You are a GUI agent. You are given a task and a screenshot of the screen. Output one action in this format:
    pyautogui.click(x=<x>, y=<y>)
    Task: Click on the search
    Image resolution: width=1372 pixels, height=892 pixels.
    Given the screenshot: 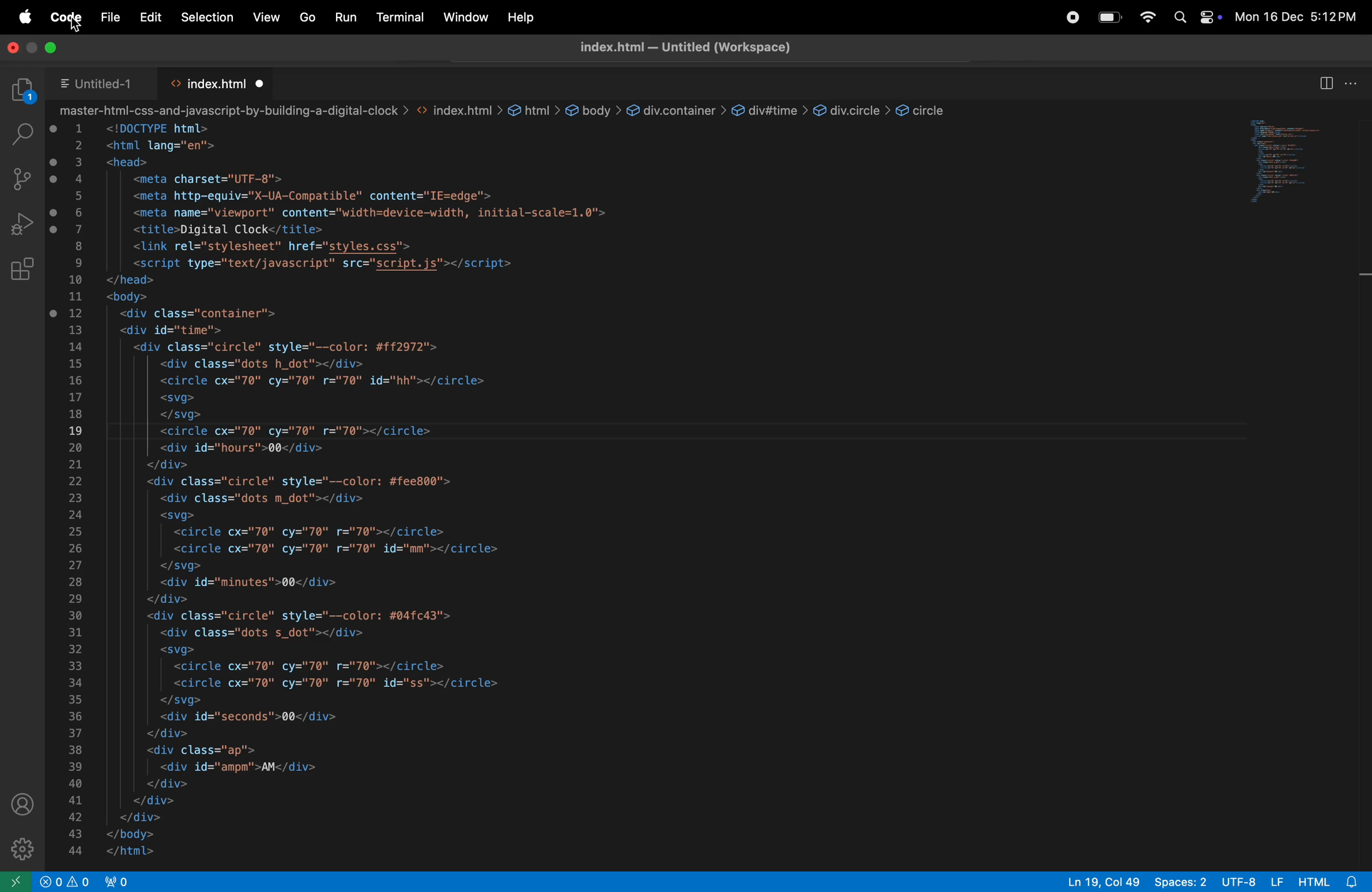 What is the action you would take?
    pyautogui.click(x=22, y=135)
    